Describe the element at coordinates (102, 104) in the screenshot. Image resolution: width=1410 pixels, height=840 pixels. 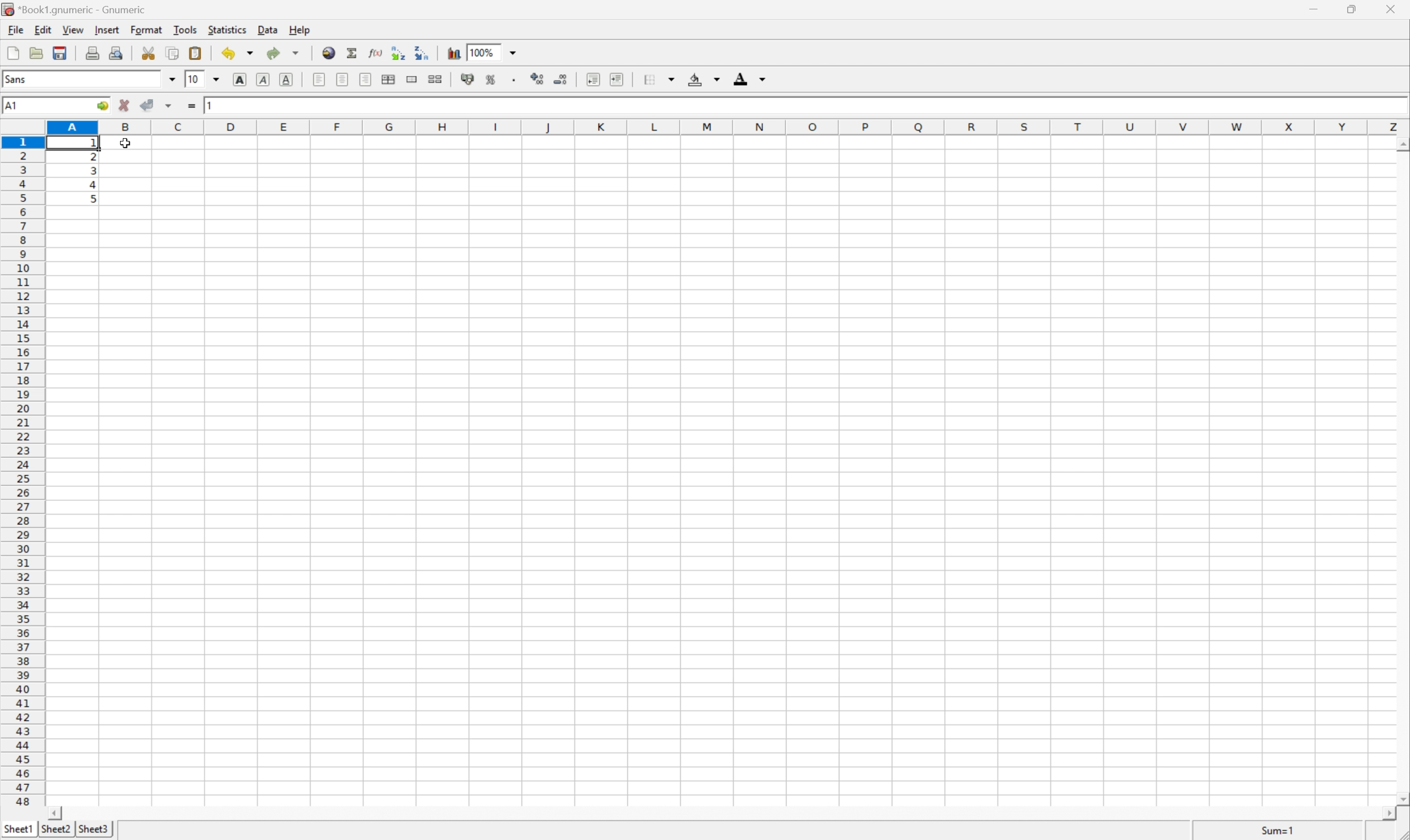
I see `Go to` at that location.